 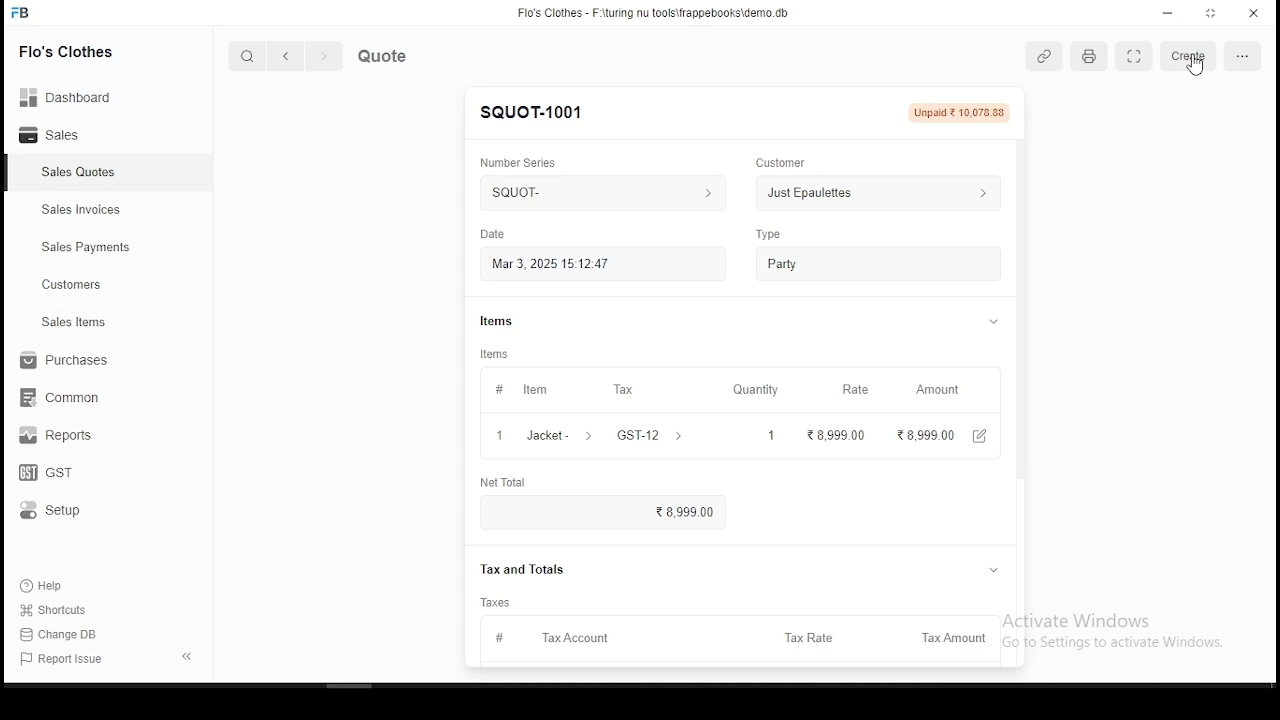 I want to click on scan, so click(x=1135, y=58).